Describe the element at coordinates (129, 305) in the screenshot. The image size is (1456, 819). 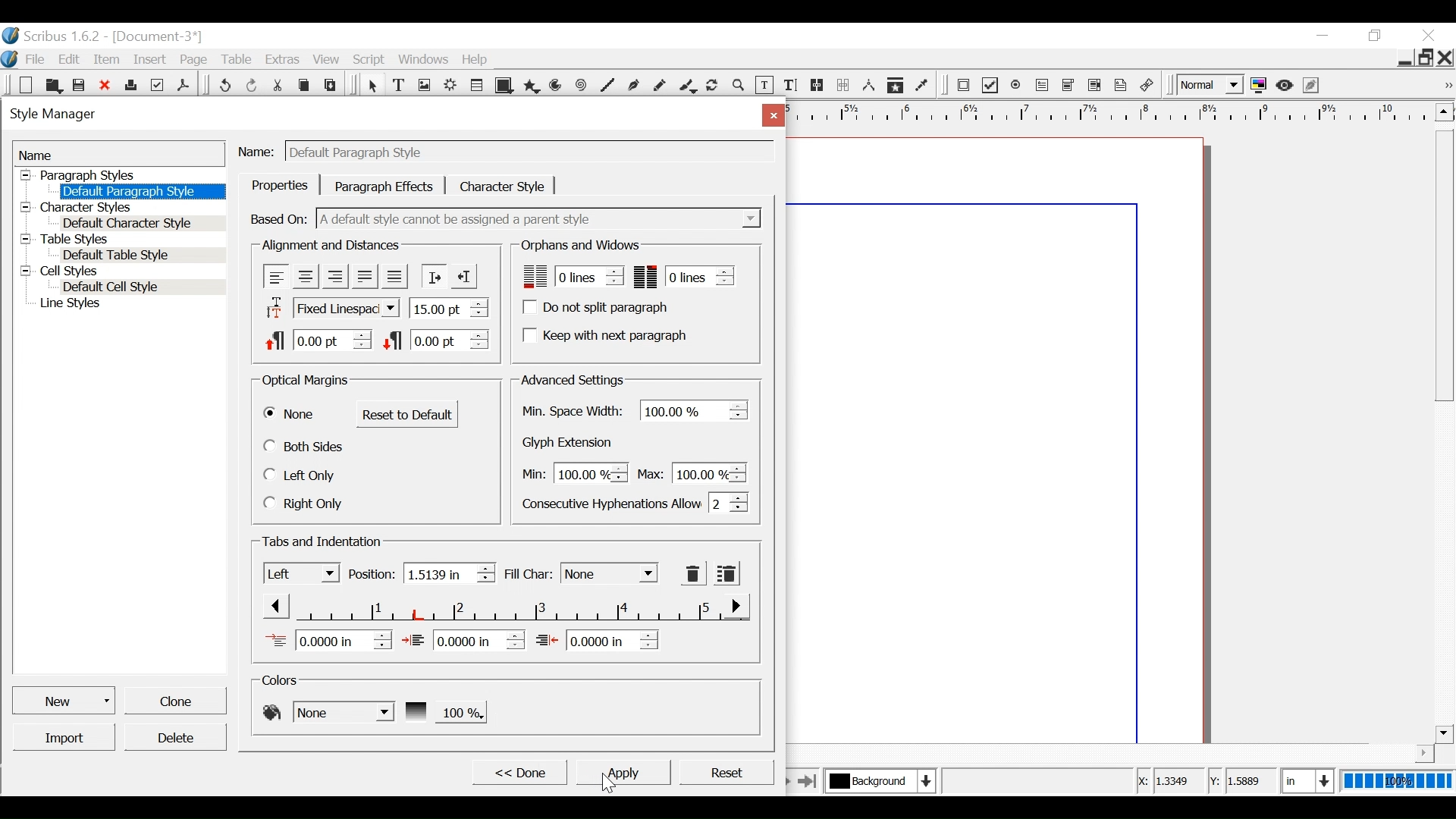
I see `line Styles` at that location.